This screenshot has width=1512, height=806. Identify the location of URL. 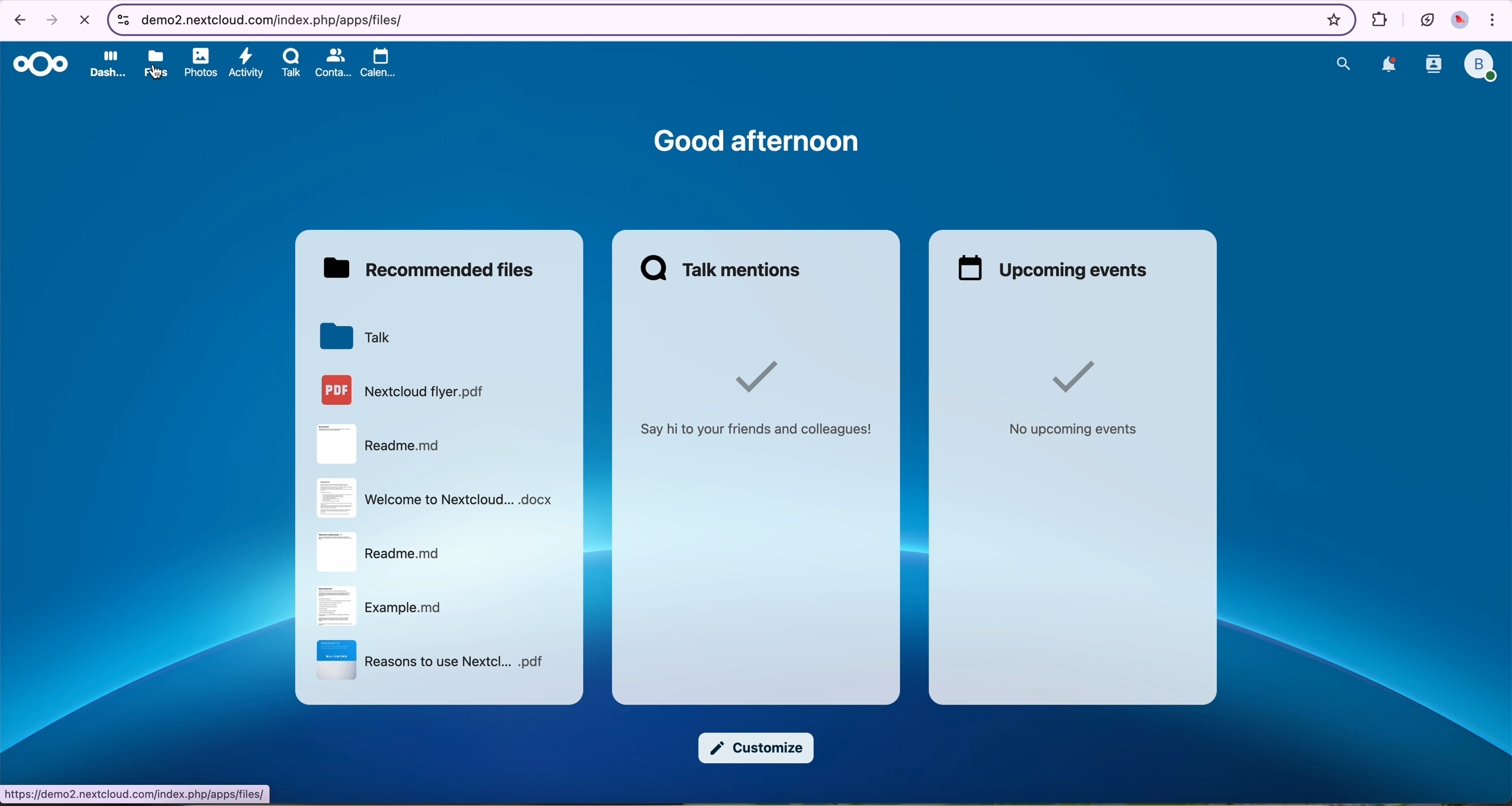
(137, 794).